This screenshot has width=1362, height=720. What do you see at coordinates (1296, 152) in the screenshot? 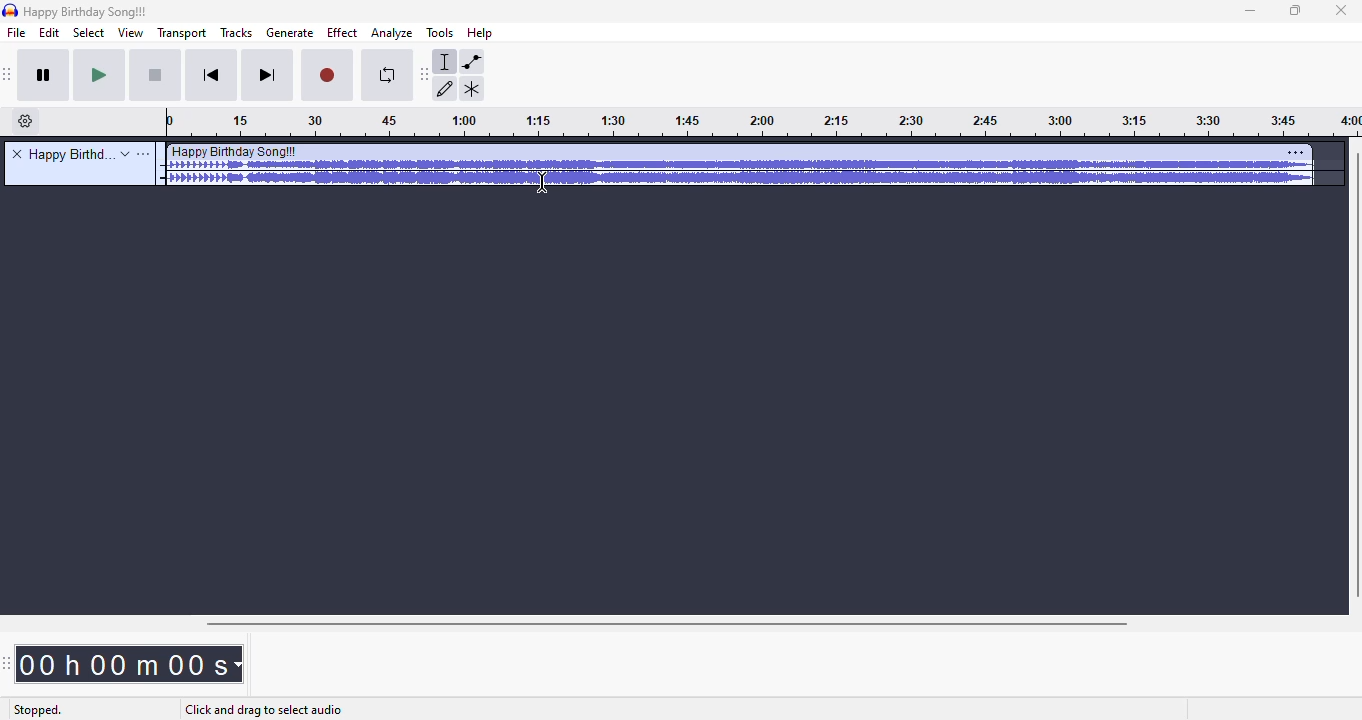
I see `settings` at bounding box center [1296, 152].